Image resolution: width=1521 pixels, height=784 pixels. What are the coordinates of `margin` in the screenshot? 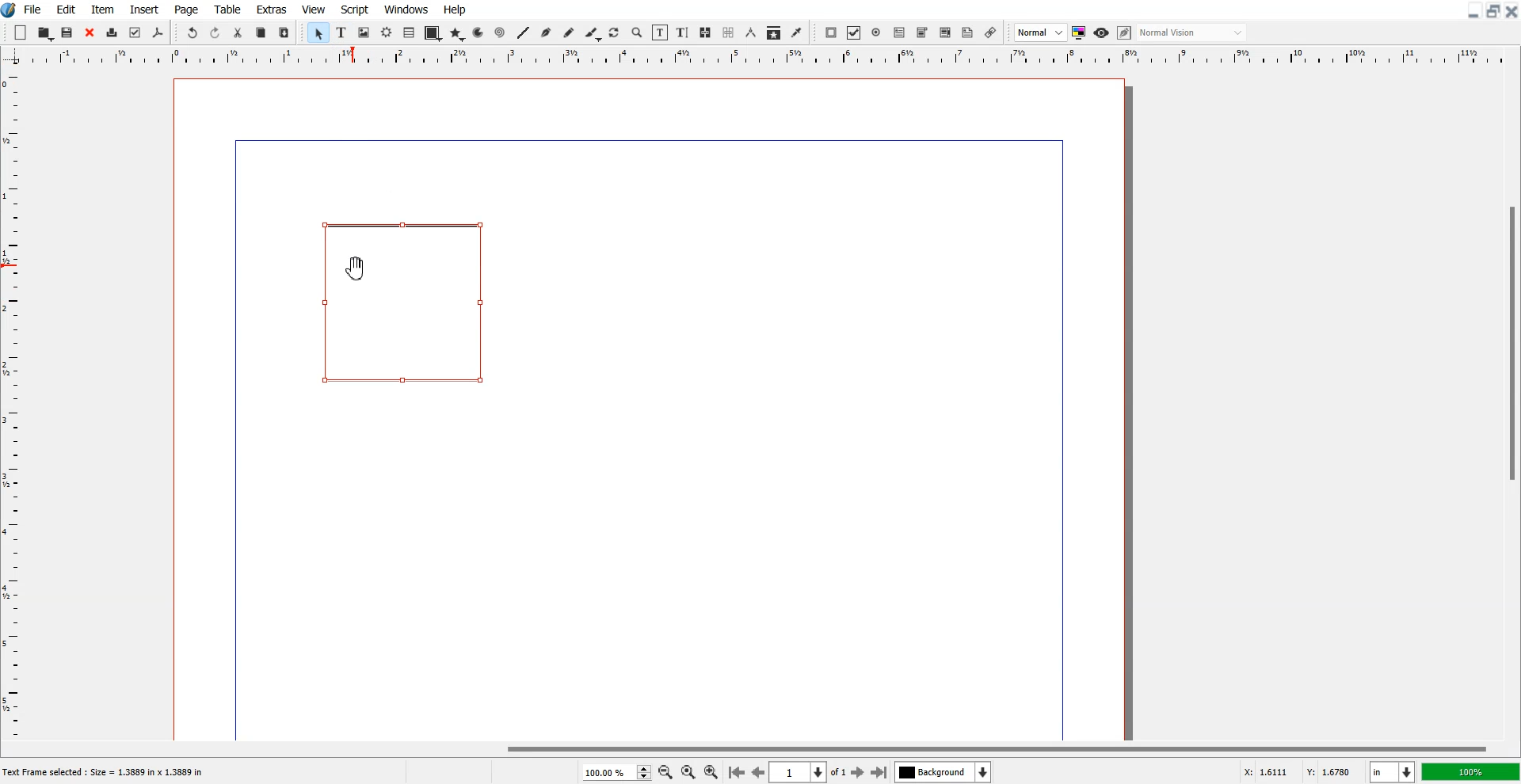 It's located at (1065, 437).